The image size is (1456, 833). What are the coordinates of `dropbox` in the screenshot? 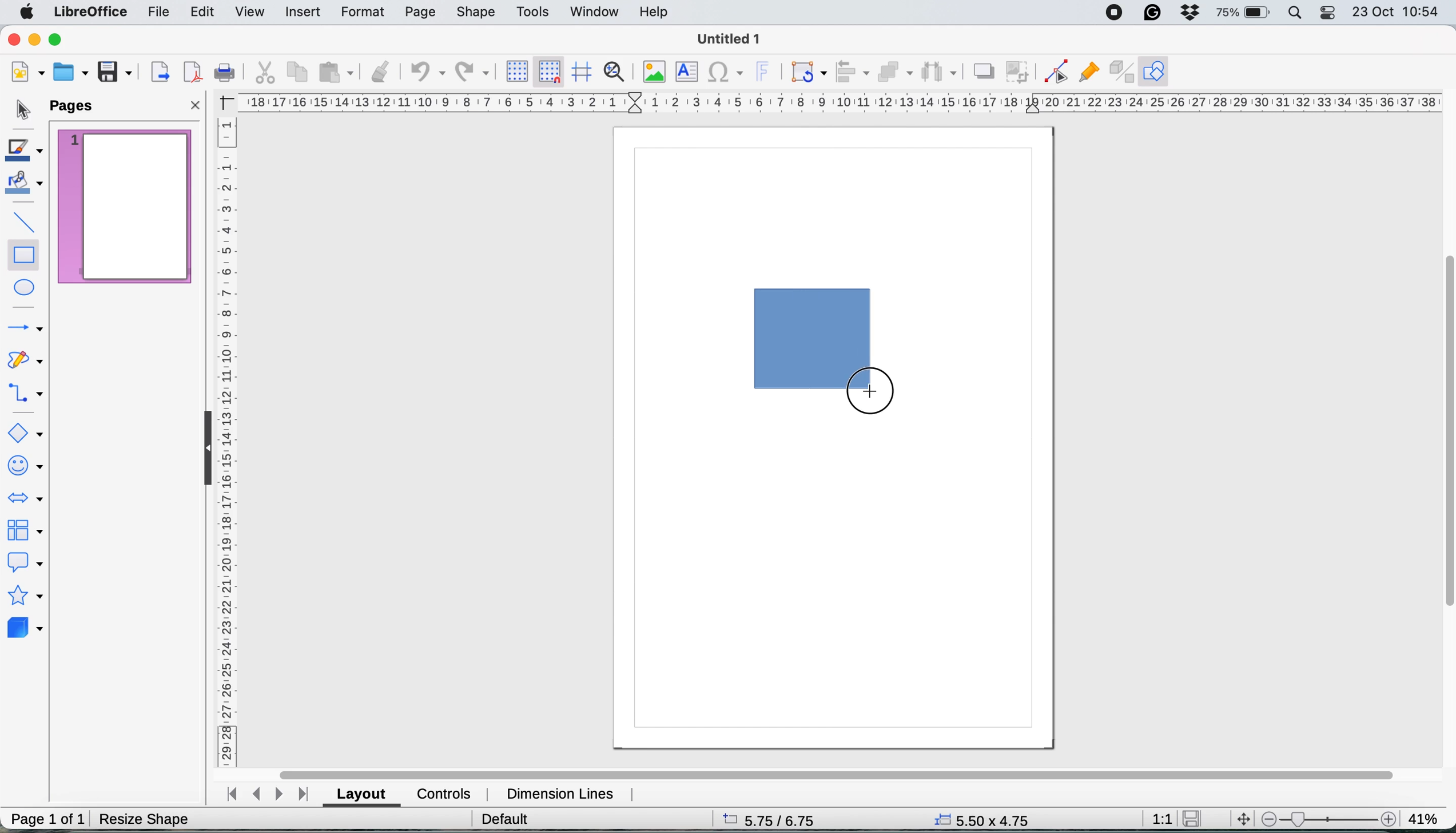 It's located at (1189, 12).